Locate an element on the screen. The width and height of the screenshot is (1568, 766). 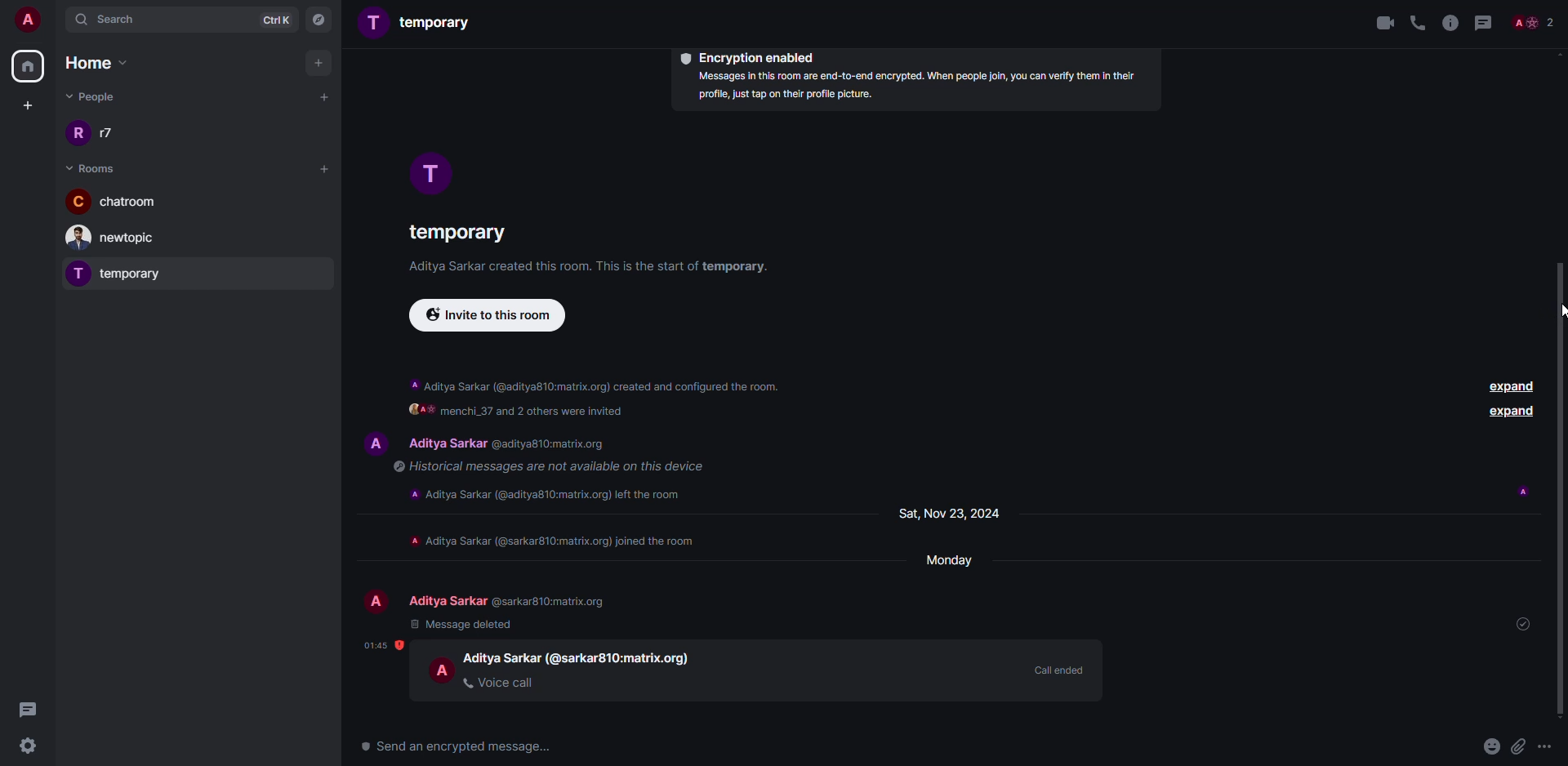
Aditya Sarkar created this room. This is the start of temporary. is located at coordinates (586, 268).